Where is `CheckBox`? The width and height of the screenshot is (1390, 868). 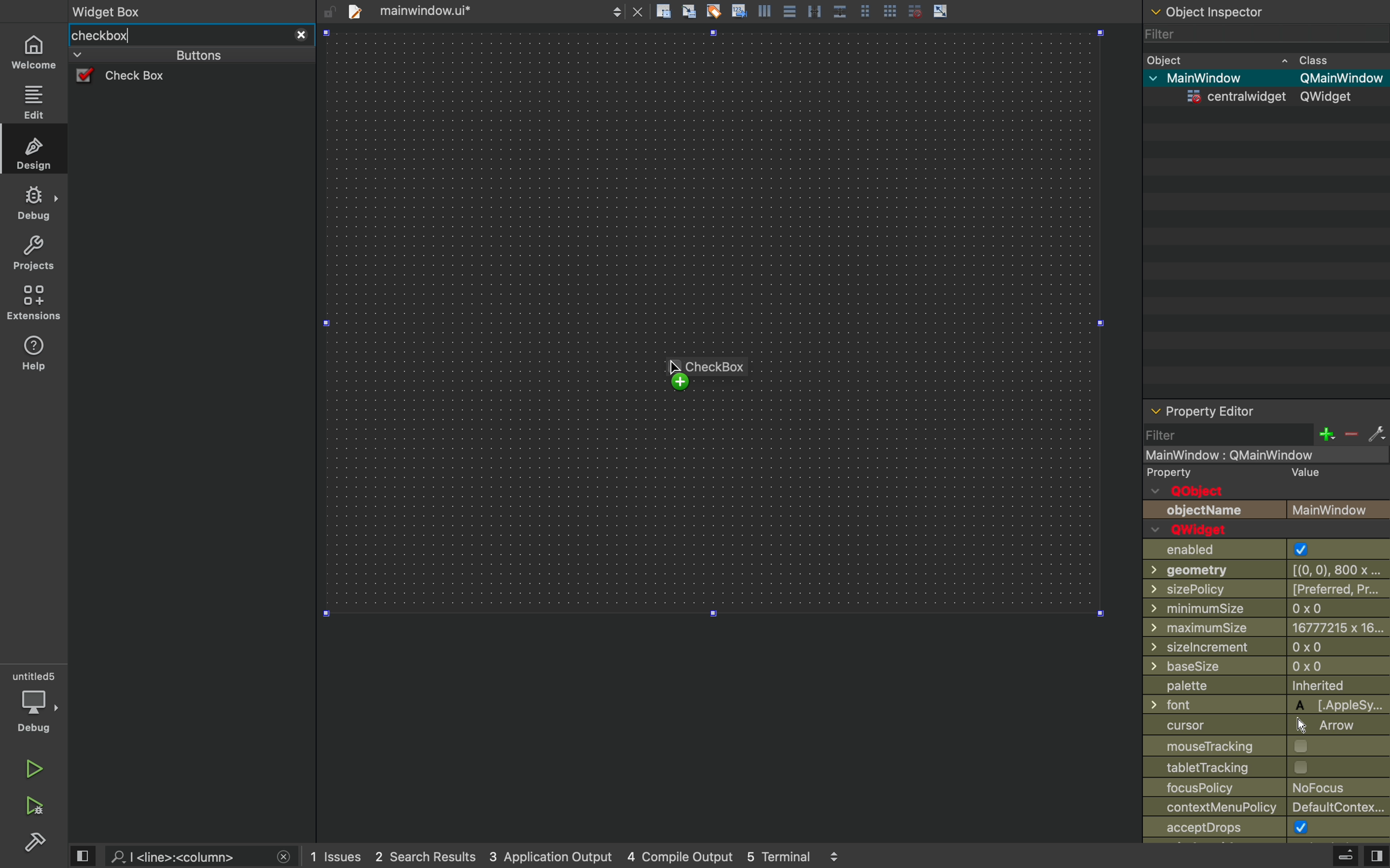
CheckBox is located at coordinates (718, 366).